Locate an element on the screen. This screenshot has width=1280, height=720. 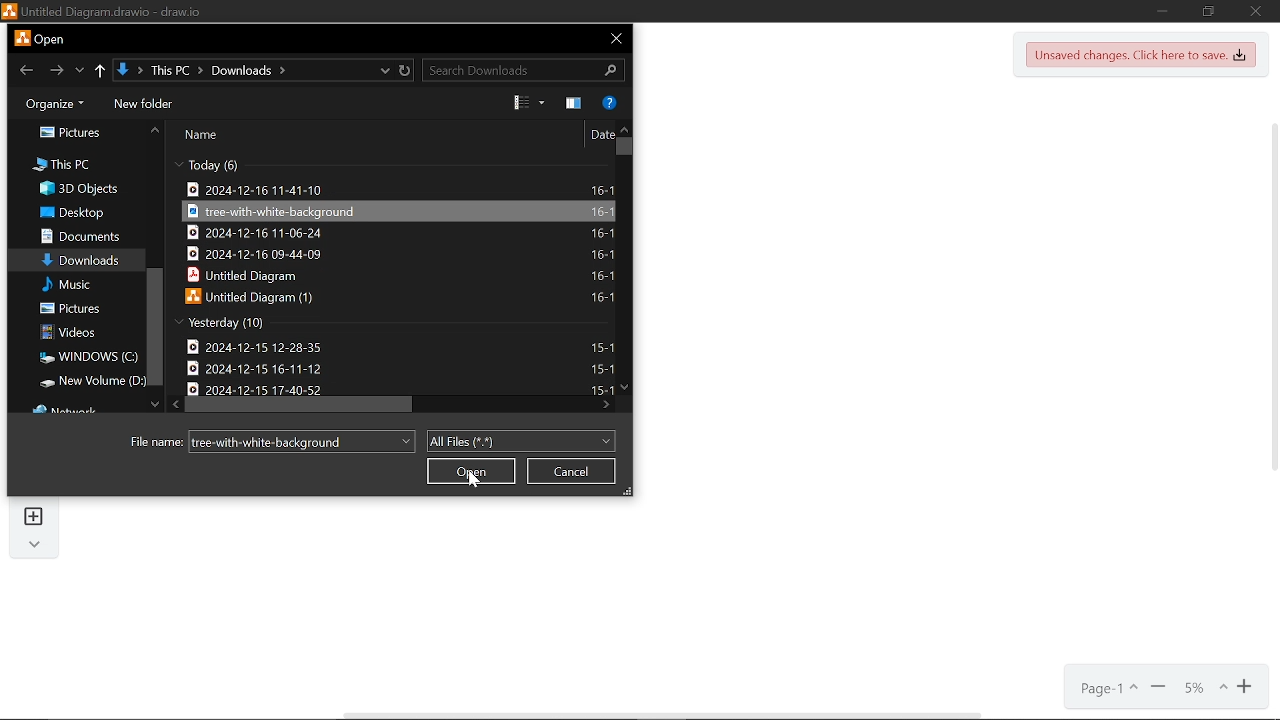
Current location path is located at coordinates (202, 71).